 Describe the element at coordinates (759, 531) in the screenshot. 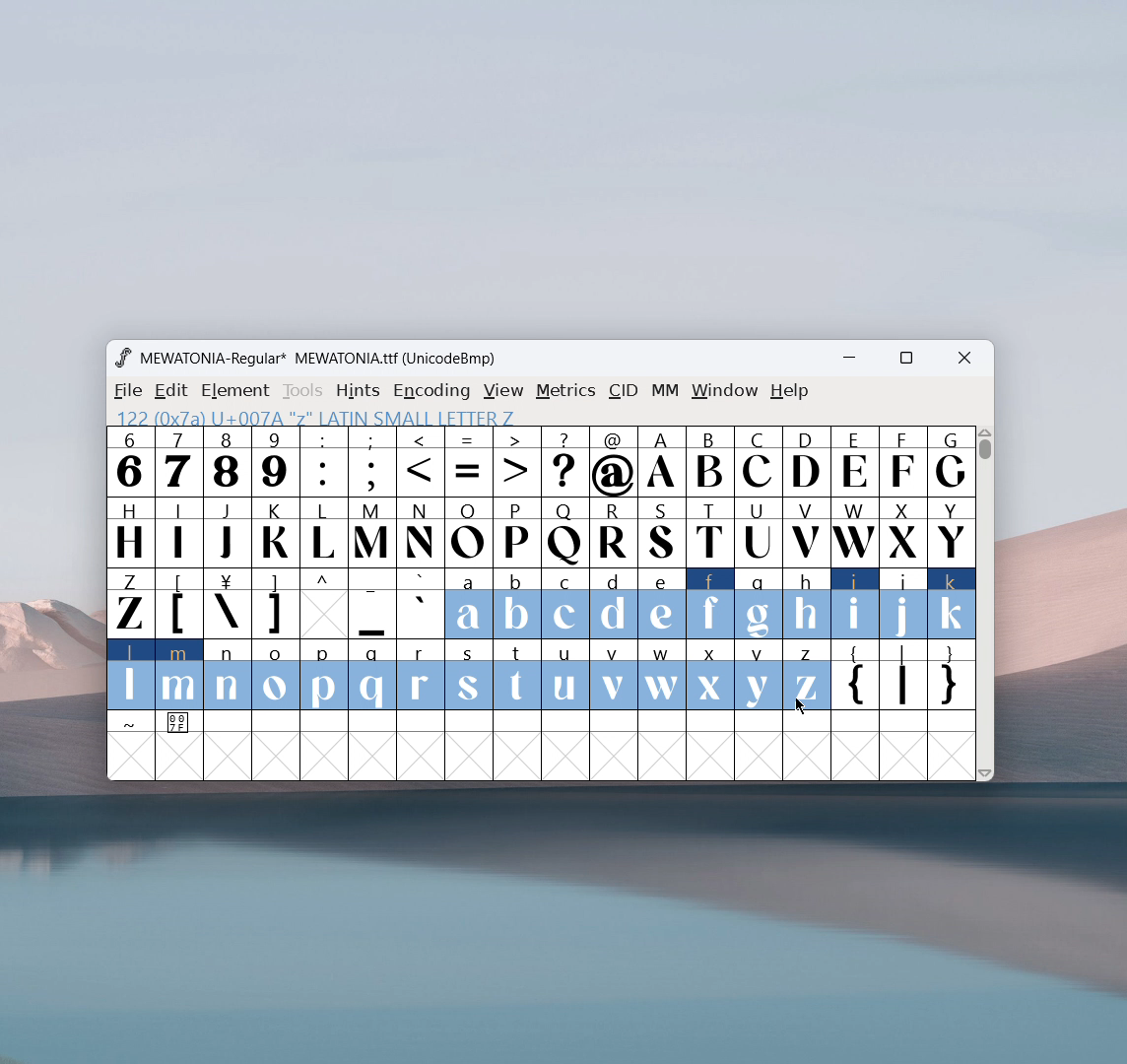

I see `U` at that location.